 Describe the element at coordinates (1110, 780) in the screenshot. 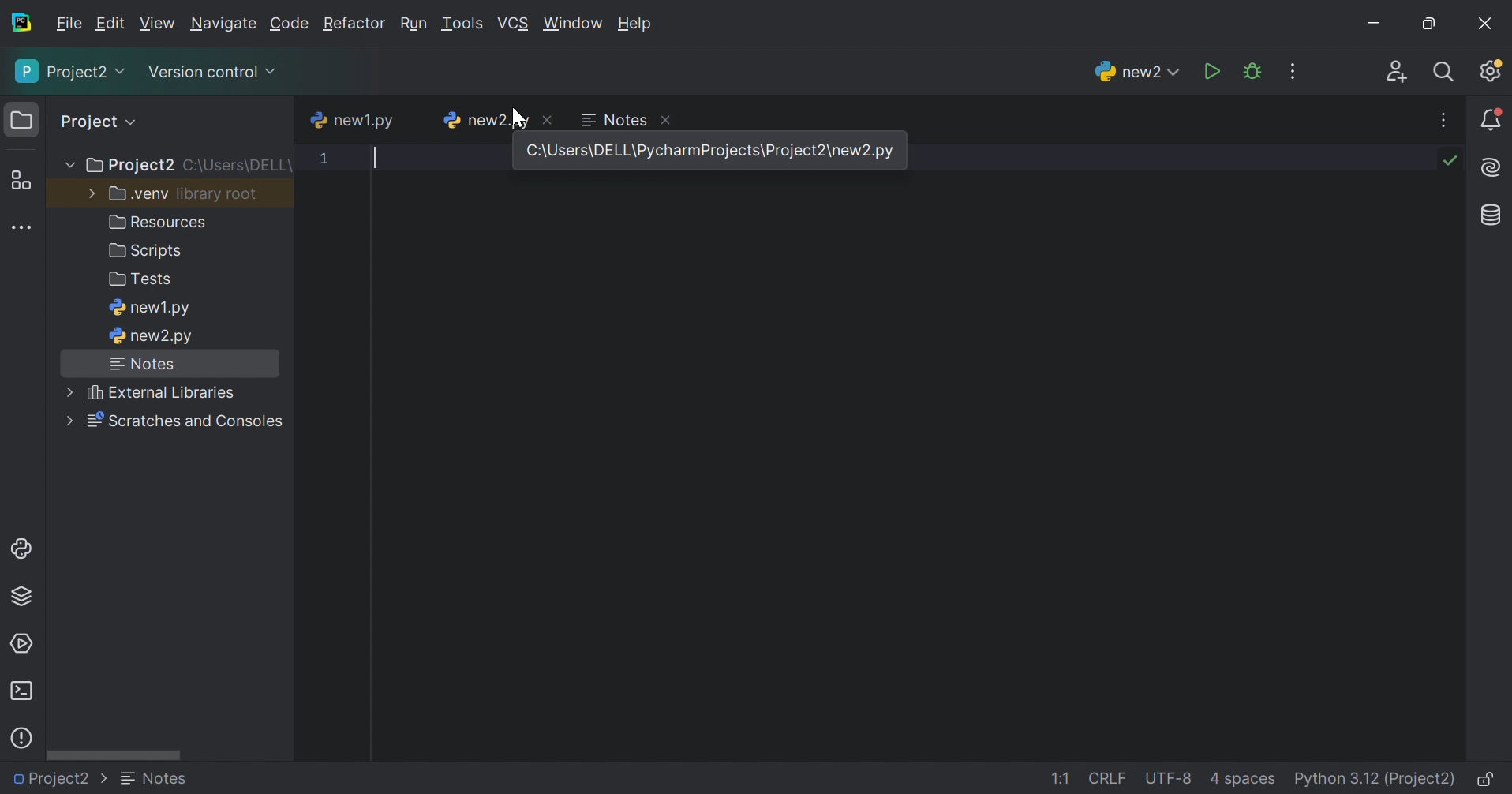

I see `CRLF` at that location.